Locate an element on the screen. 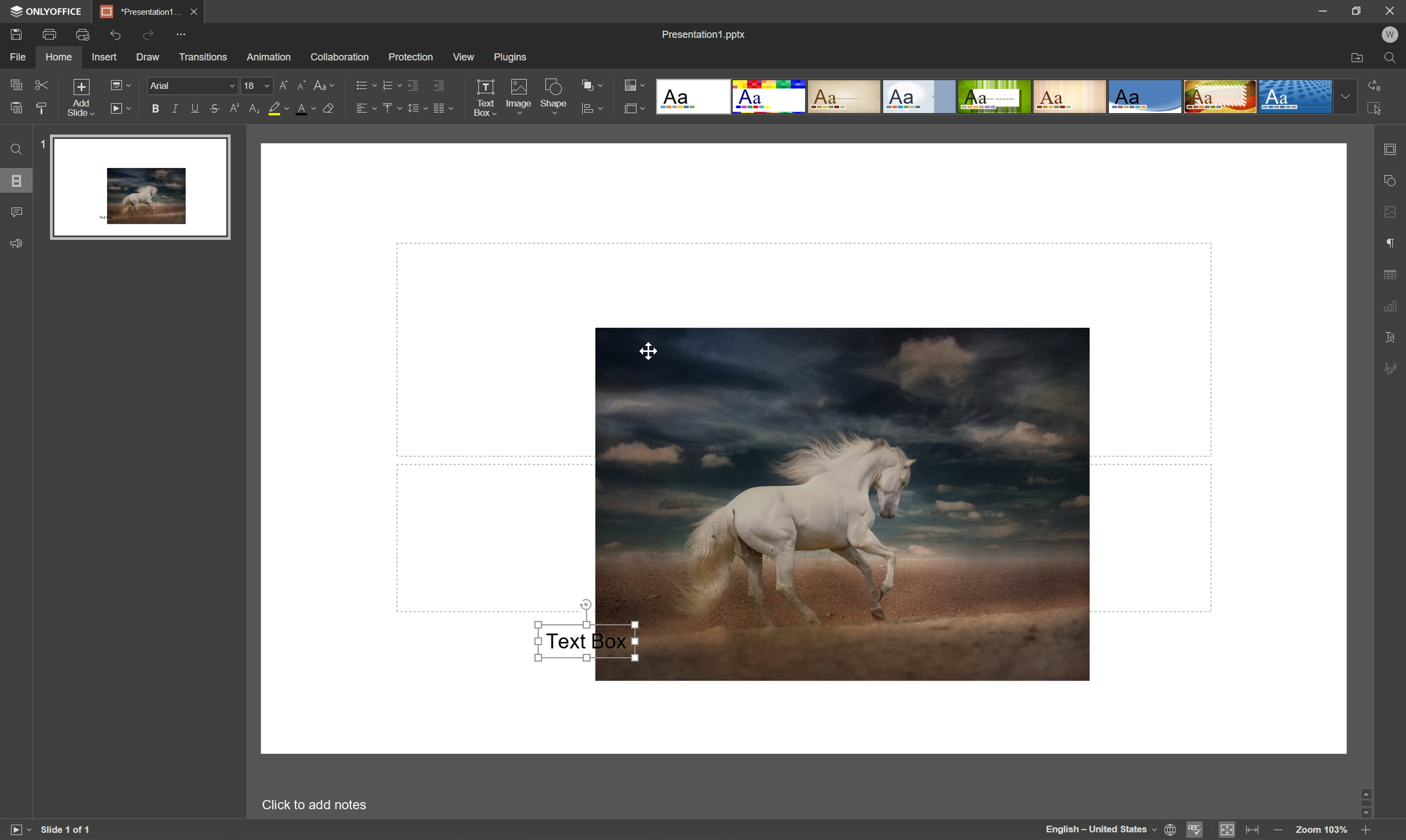 This screenshot has width=1406, height=840. Undo is located at coordinates (117, 36).